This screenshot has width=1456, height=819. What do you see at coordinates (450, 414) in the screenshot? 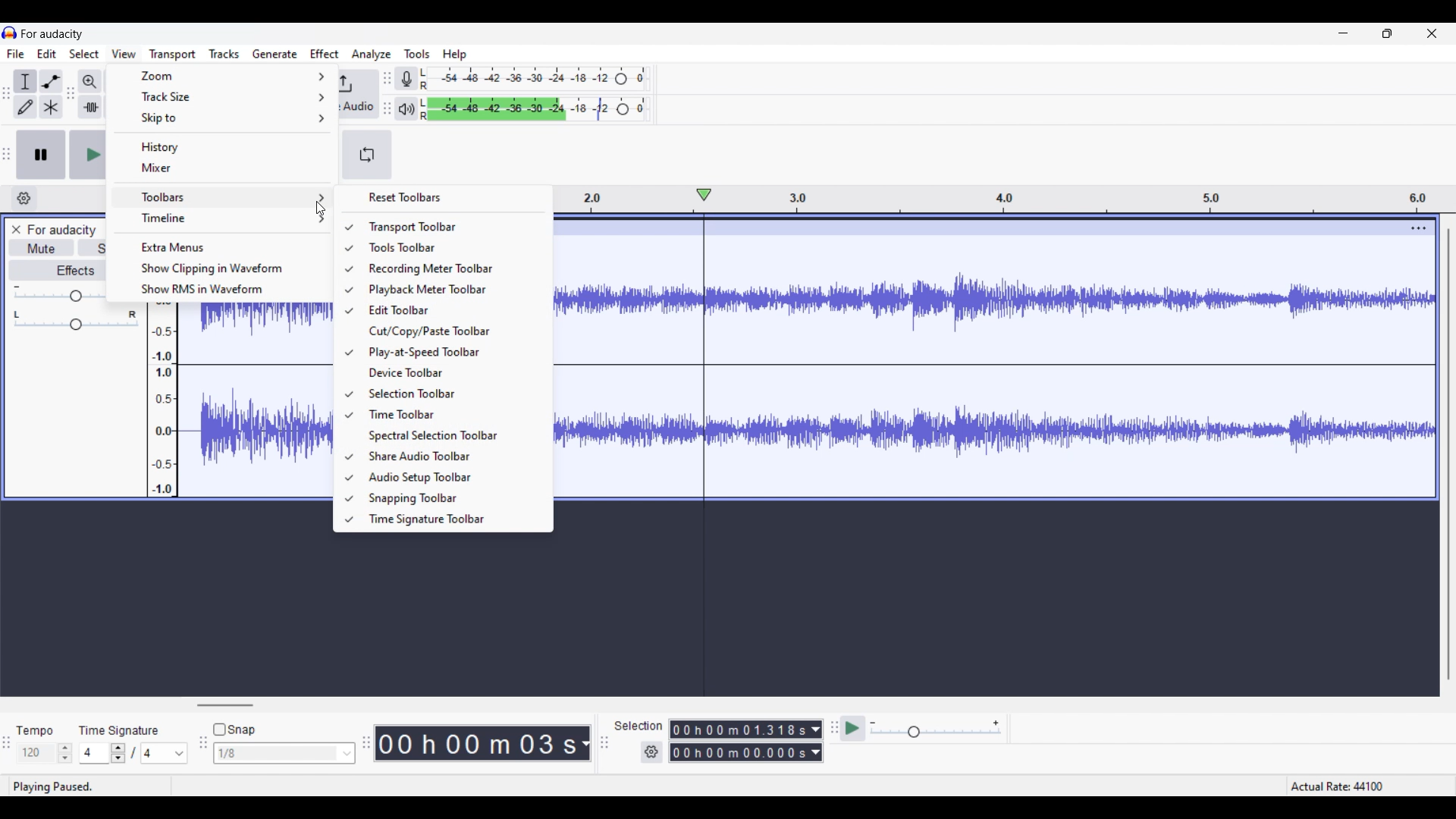
I see `Time toolbar` at bounding box center [450, 414].